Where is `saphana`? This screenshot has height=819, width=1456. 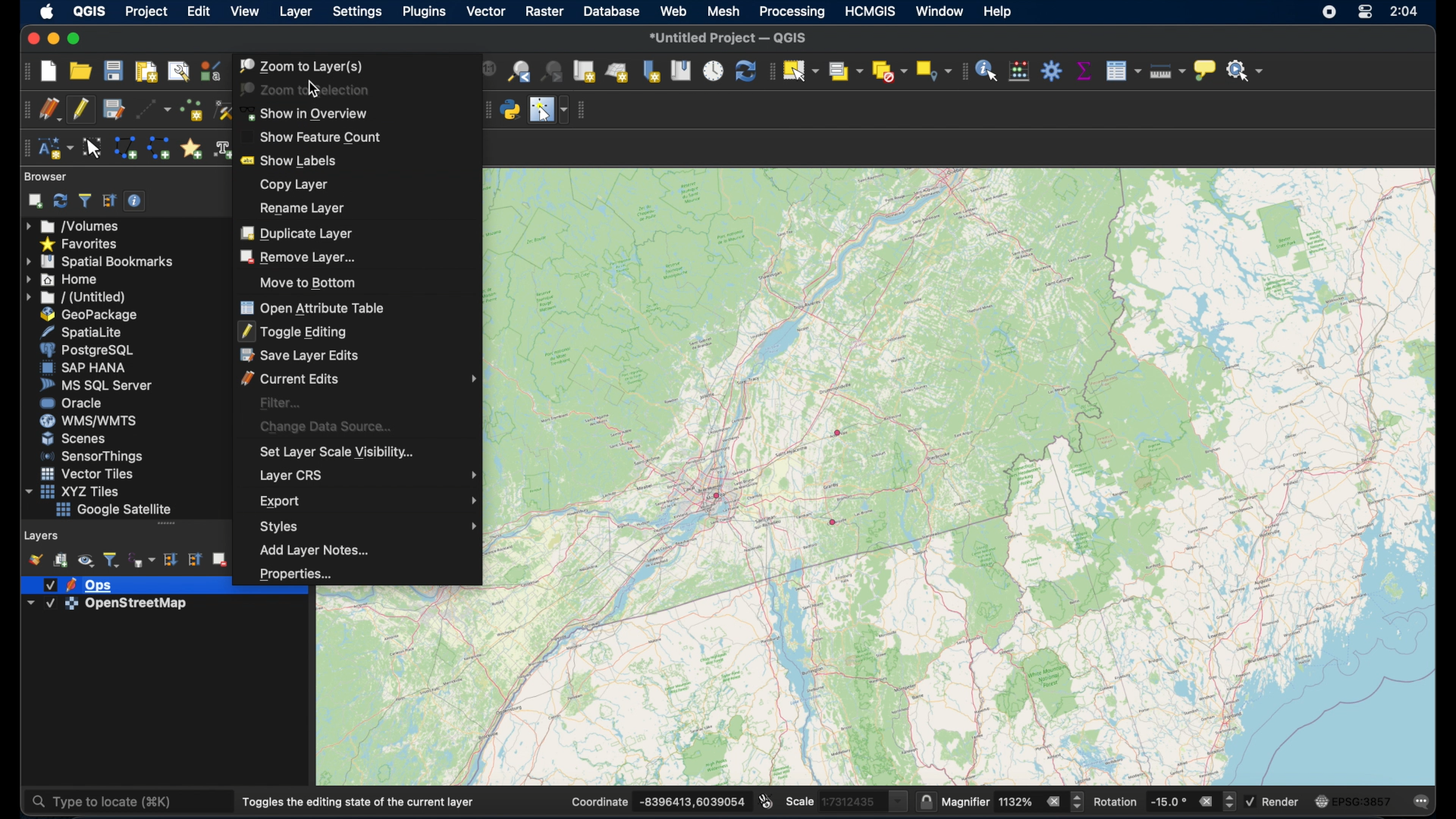 saphana is located at coordinates (80, 369).